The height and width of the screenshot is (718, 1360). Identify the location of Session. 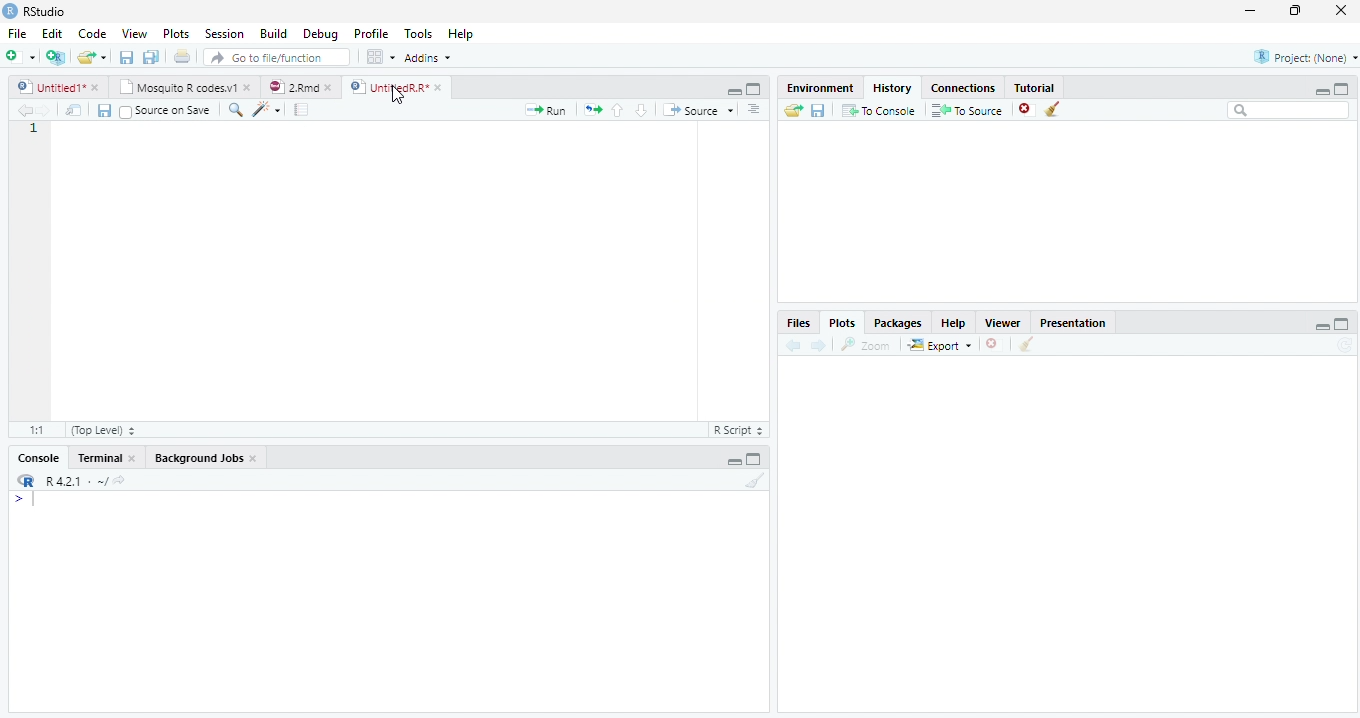
(224, 35).